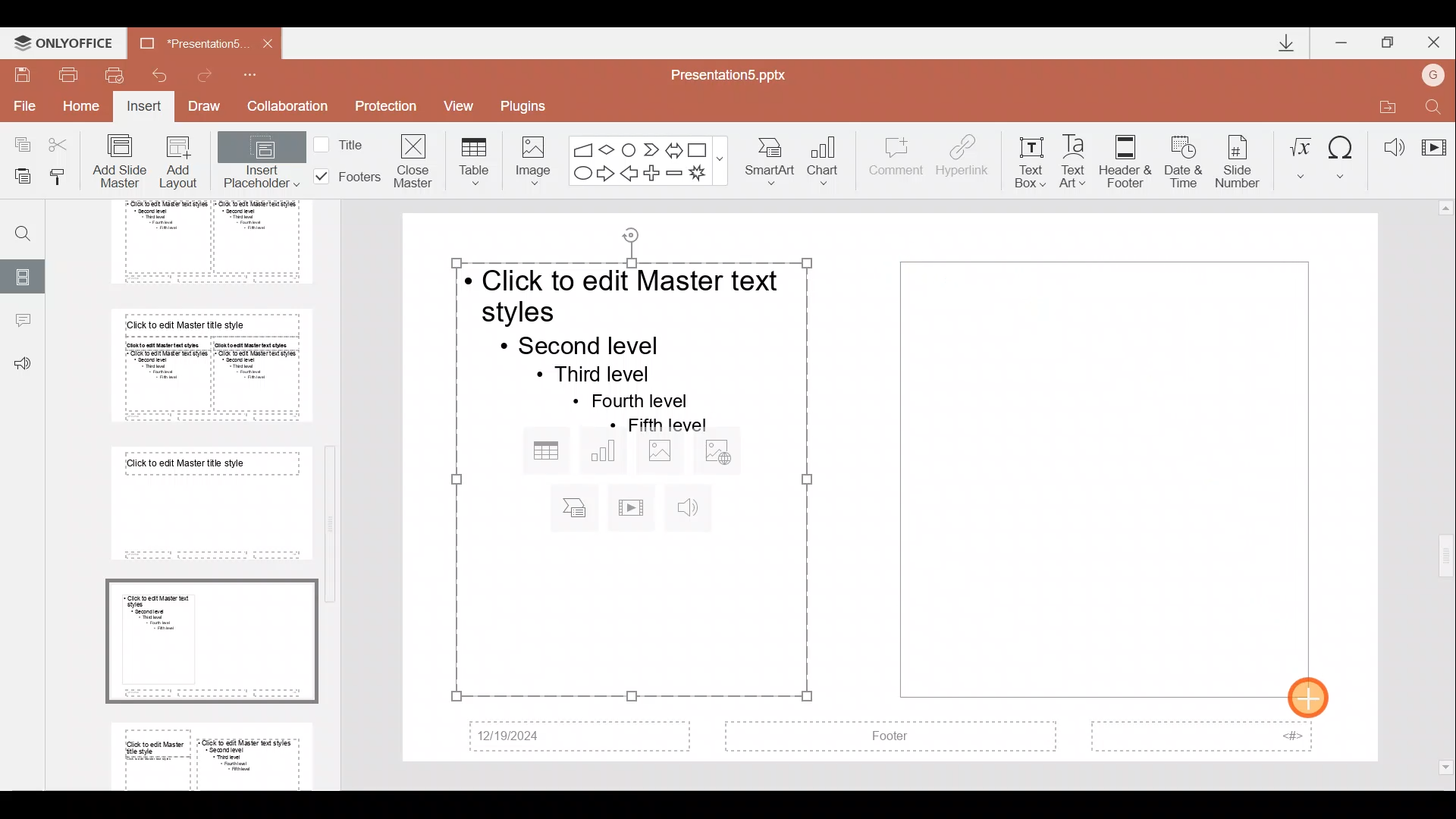 The width and height of the screenshot is (1456, 819). Describe the element at coordinates (630, 174) in the screenshot. I see `Left arrow` at that location.